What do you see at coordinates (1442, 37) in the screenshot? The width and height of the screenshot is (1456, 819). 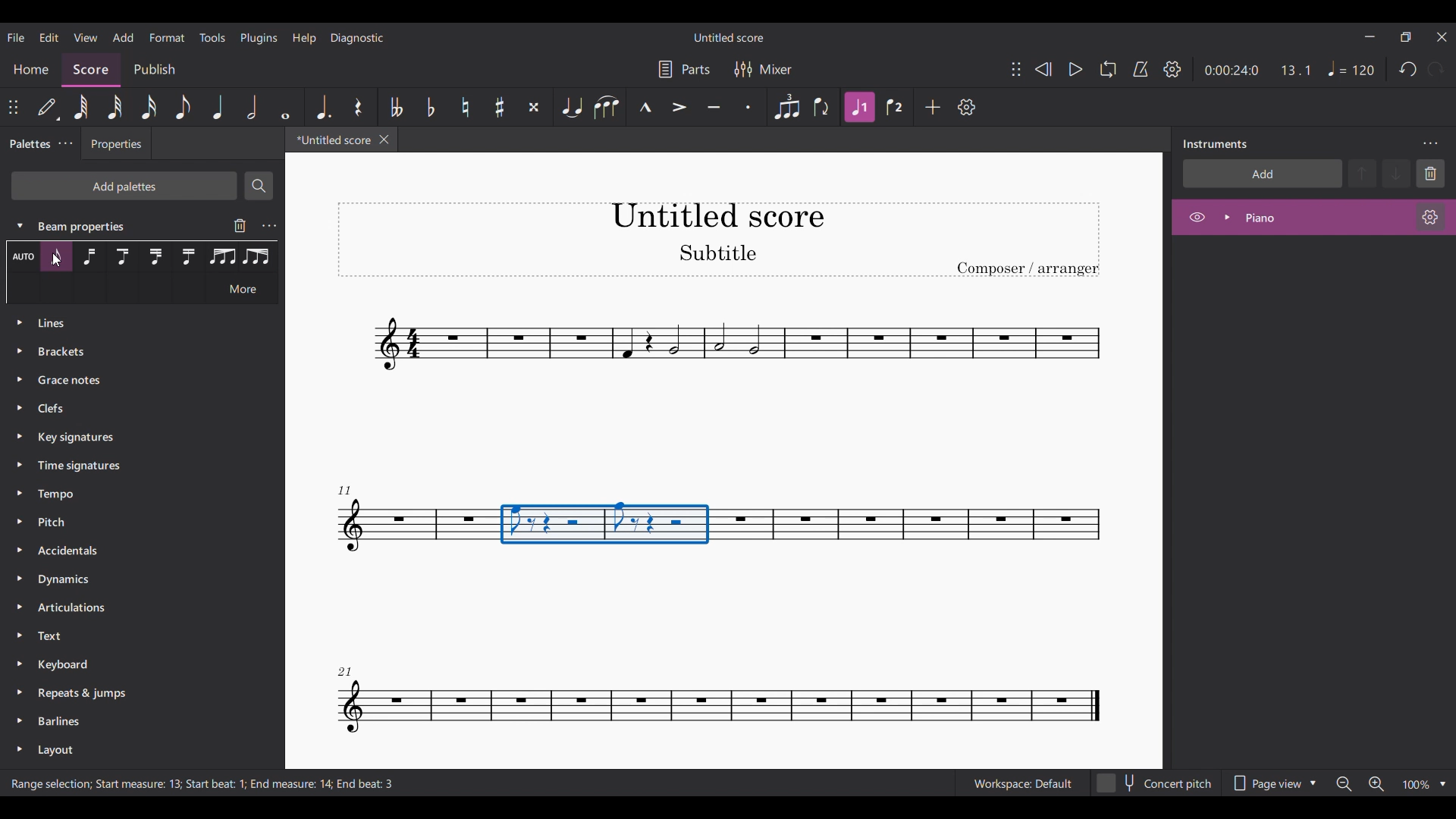 I see `Close interface` at bounding box center [1442, 37].